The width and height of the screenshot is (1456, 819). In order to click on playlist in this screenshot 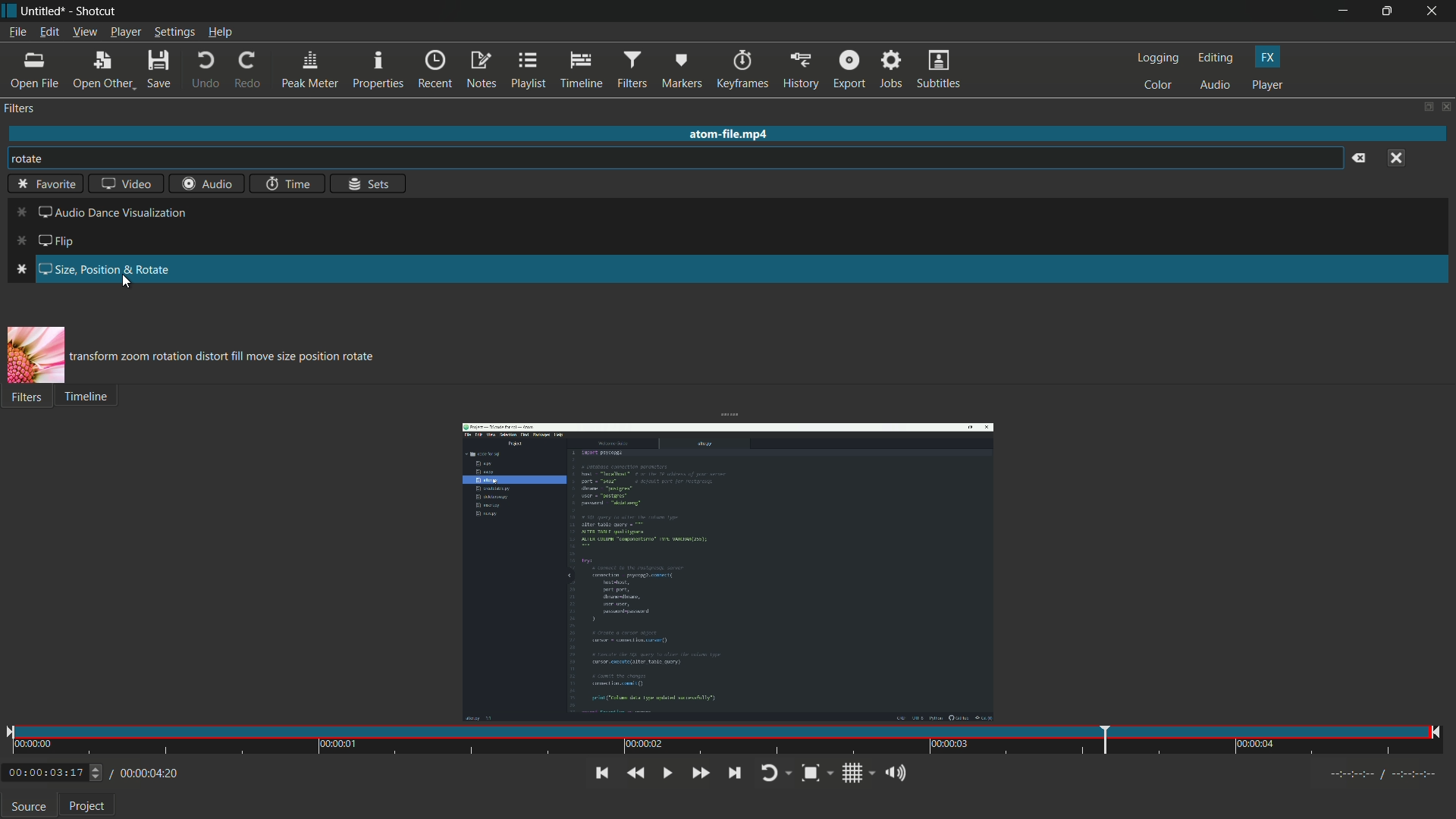, I will do `click(529, 71)`.